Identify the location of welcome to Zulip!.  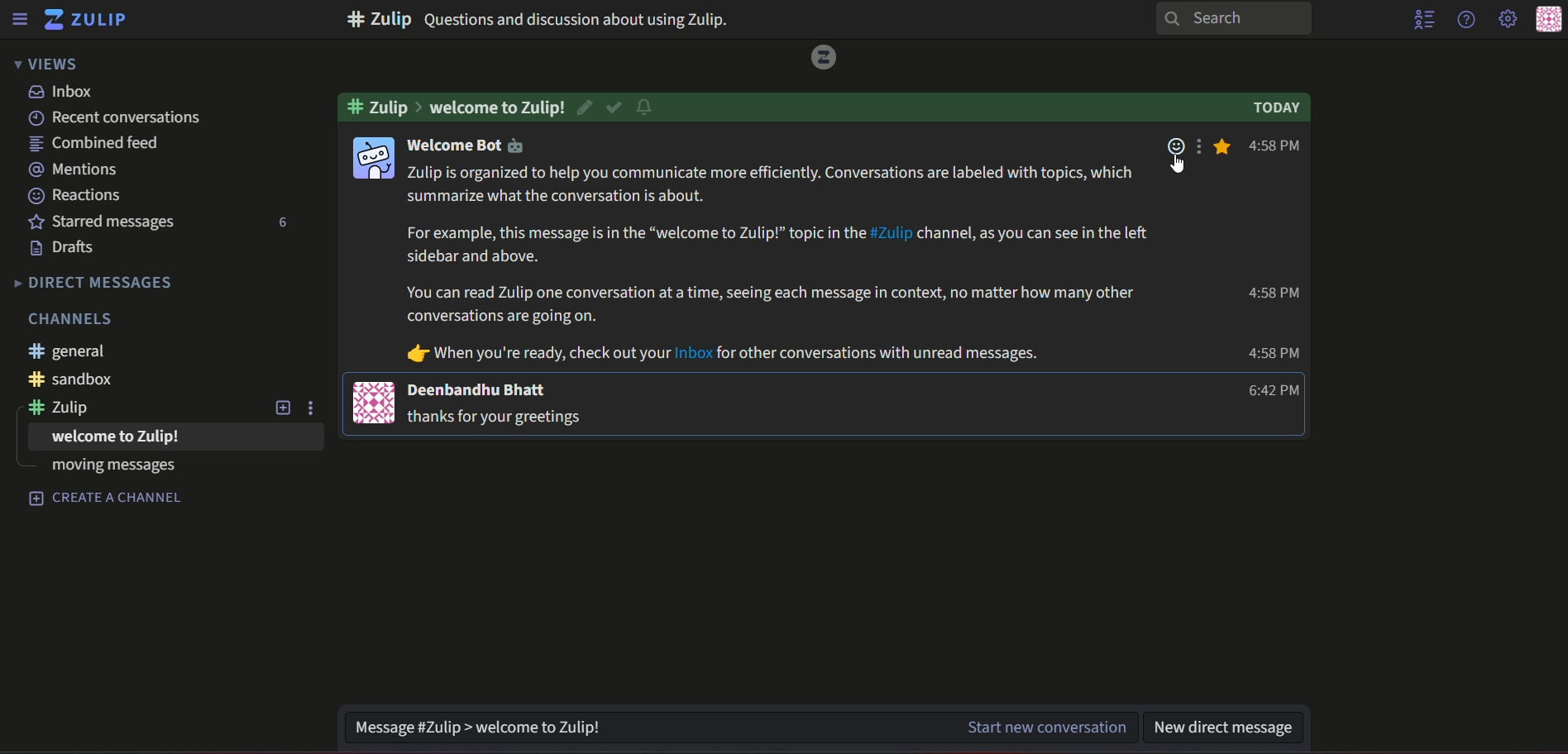
(497, 107).